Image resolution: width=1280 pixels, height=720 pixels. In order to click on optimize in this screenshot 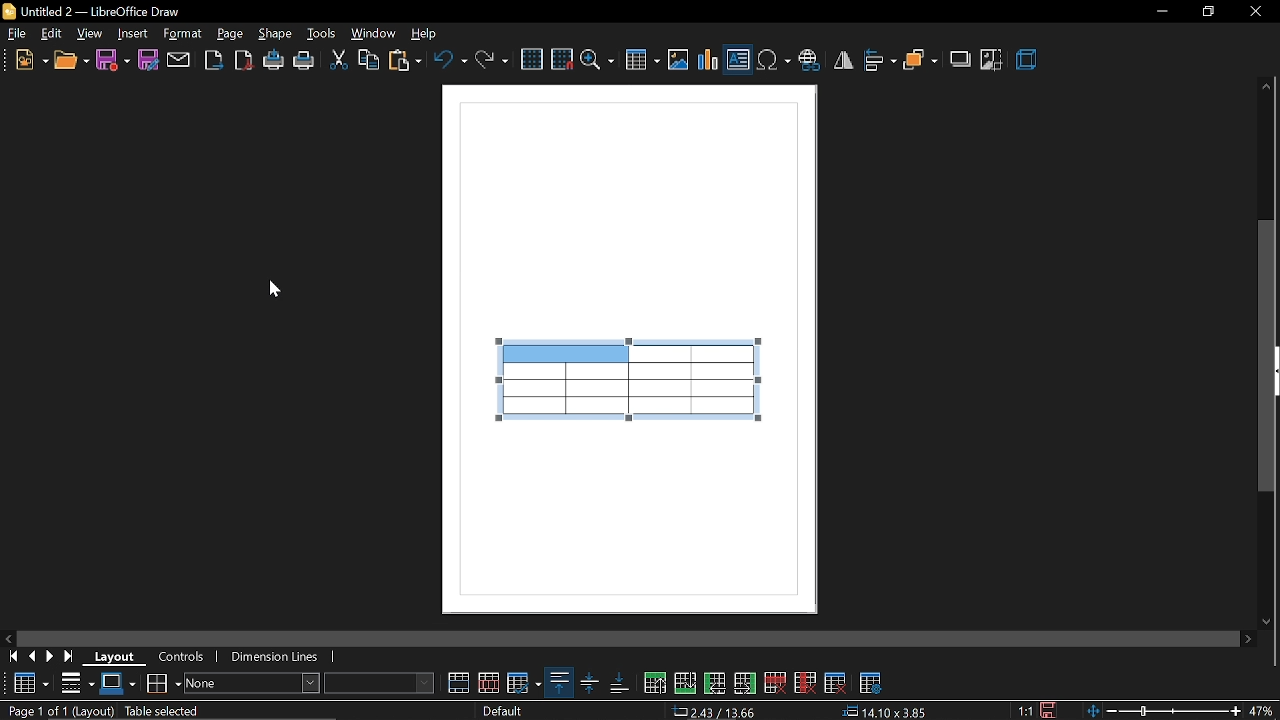, I will do `click(524, 683)`.